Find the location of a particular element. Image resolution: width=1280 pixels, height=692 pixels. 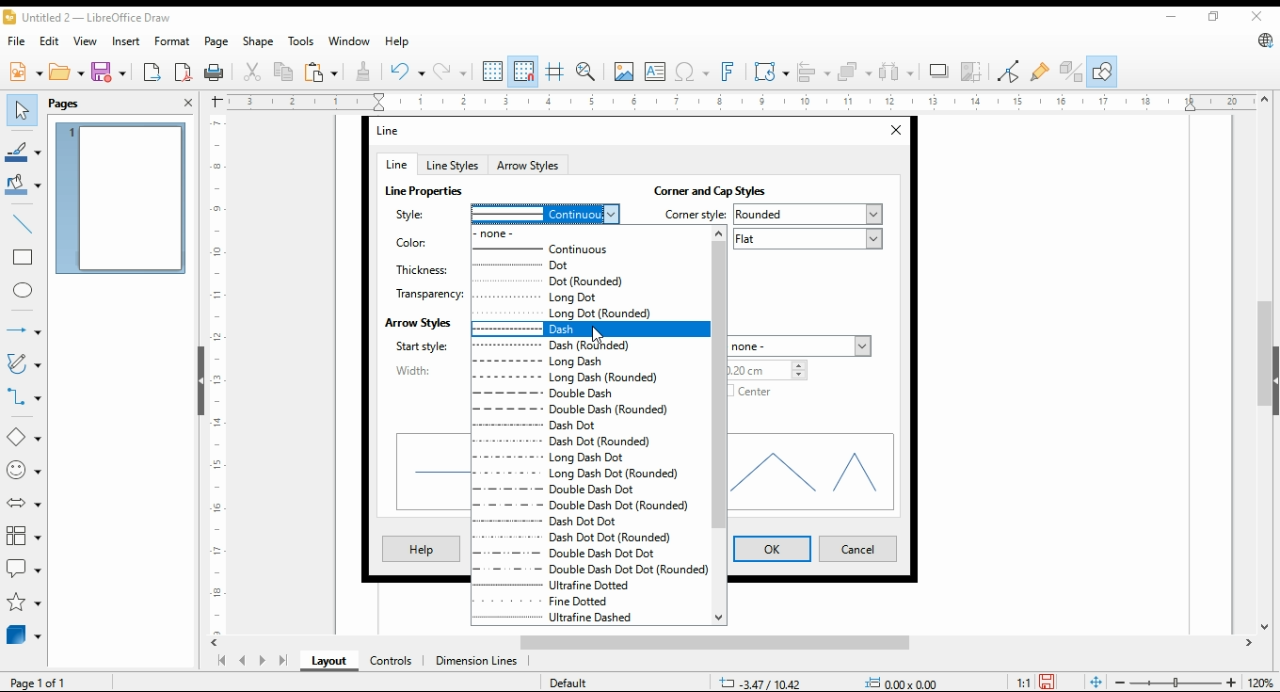

Color: is located at coordinates (414, 244).